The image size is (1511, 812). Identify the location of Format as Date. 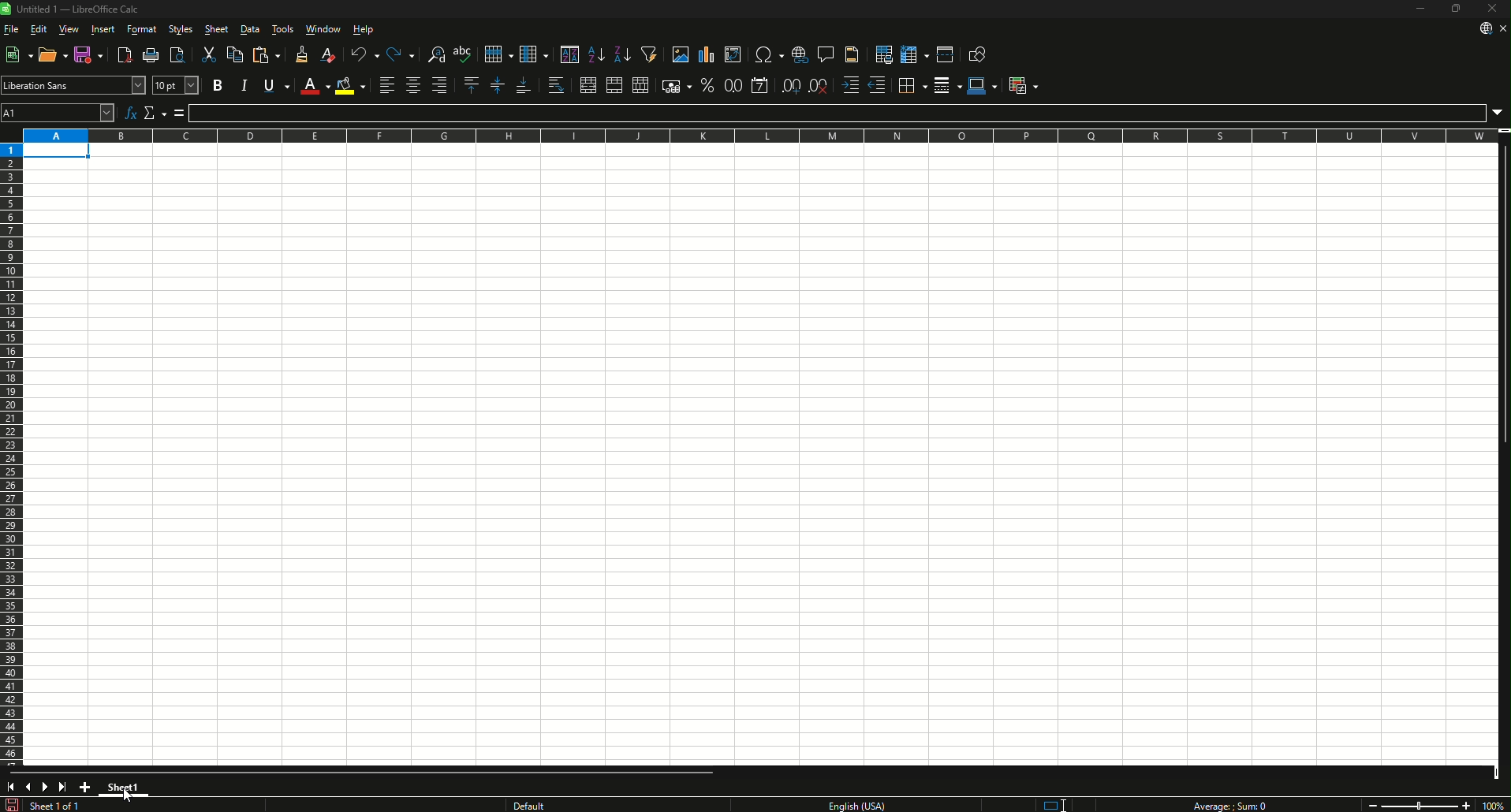
(760, 85).